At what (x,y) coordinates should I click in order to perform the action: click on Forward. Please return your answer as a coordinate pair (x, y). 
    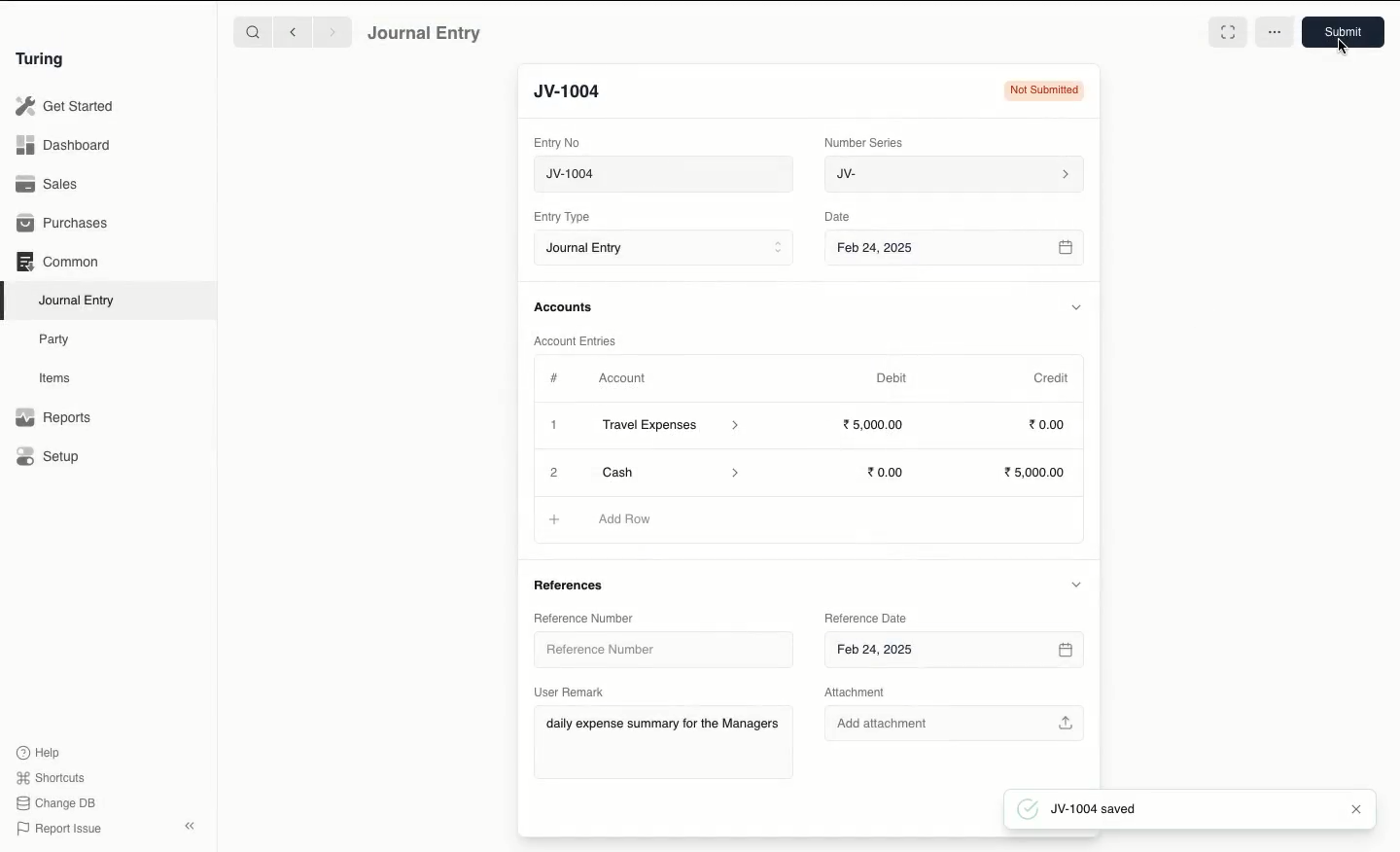
    Looking at the image, I should click on (333, 31).